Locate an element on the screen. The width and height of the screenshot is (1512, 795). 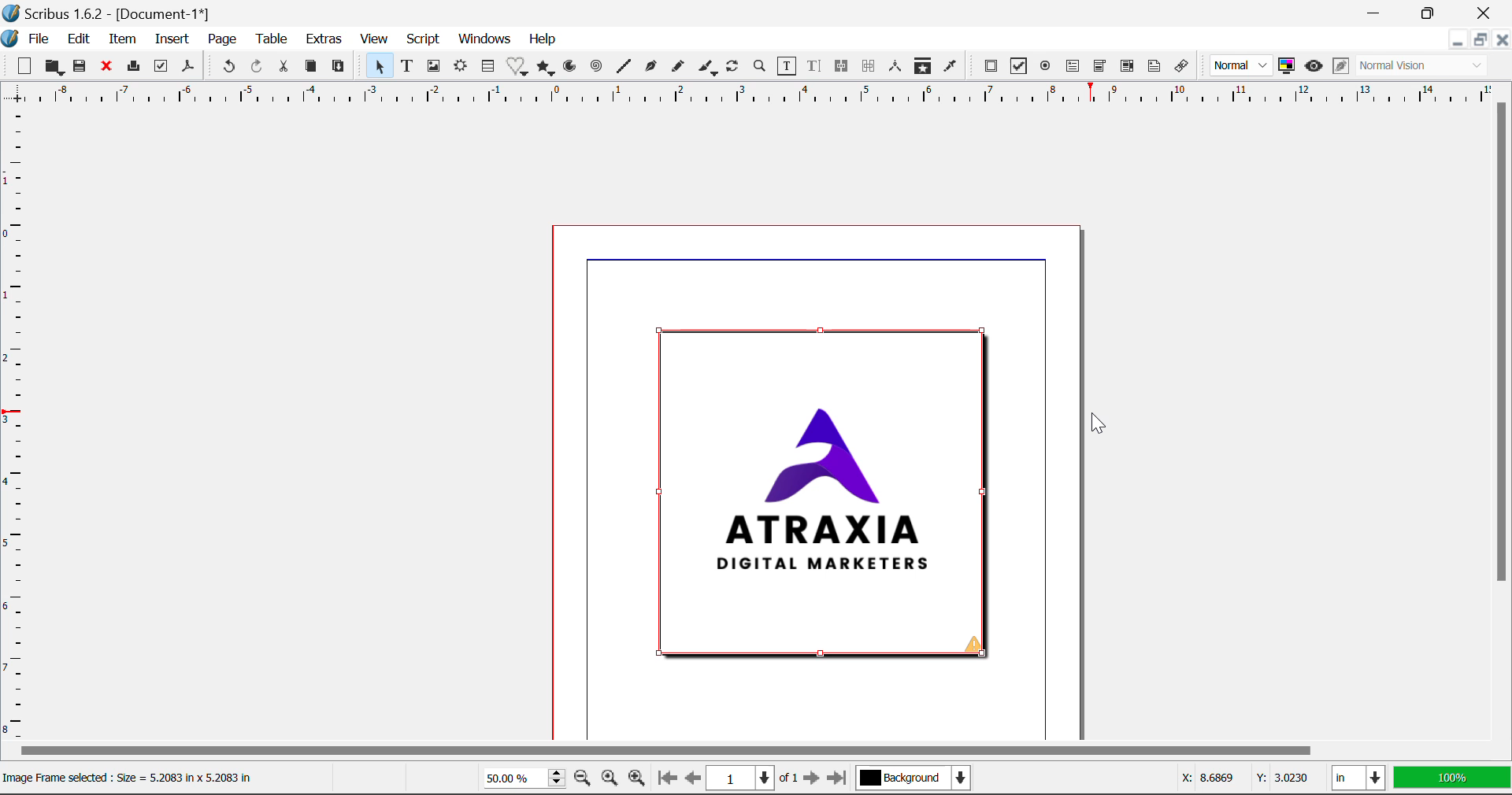
Y: 3.0230 is located at coordinates (1282, 779).